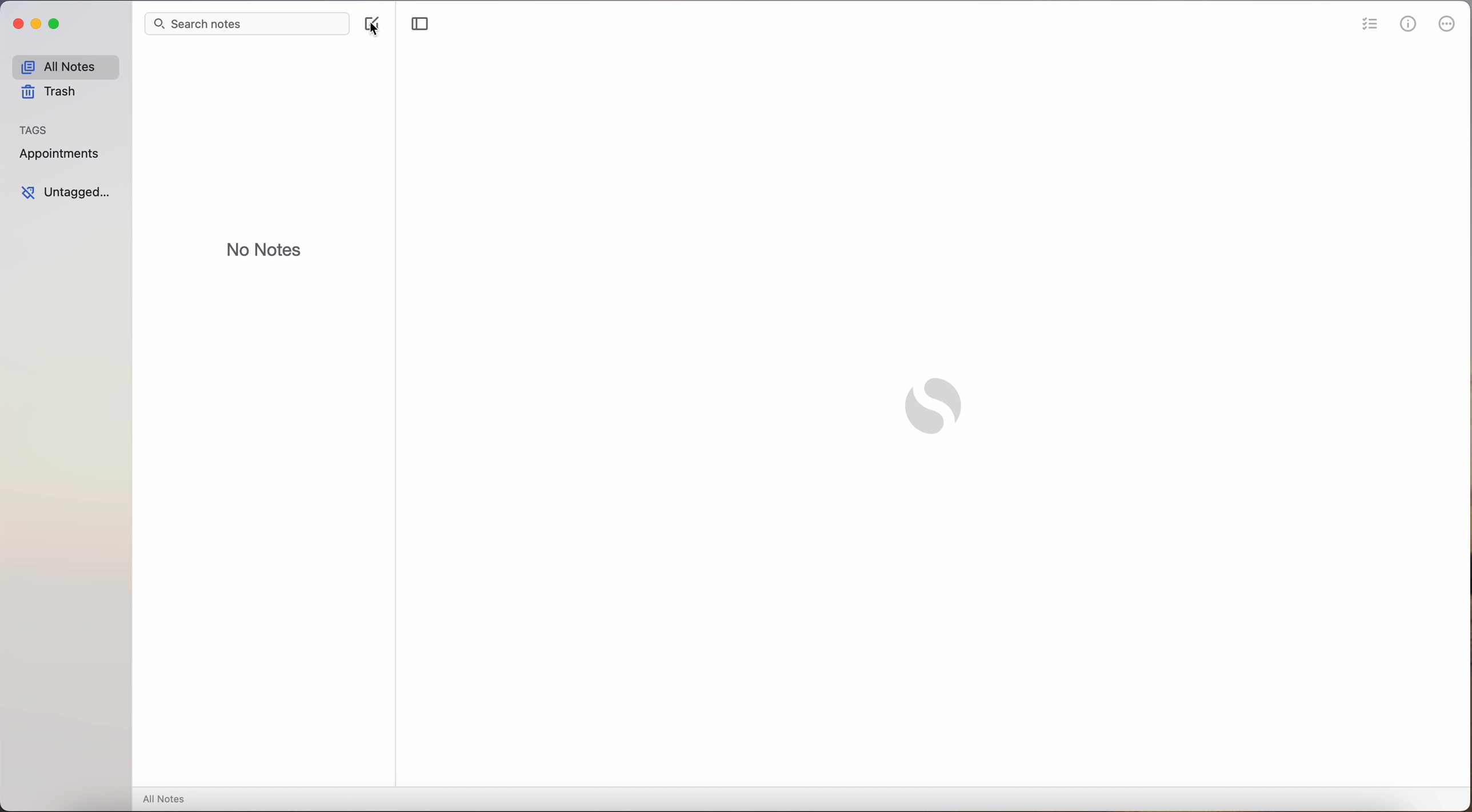 Image resolution: width=1472 pixels, height=812 pixels. Describe the element at coordinates (65, 66) in the screenshot. I see `all notes` at that location.